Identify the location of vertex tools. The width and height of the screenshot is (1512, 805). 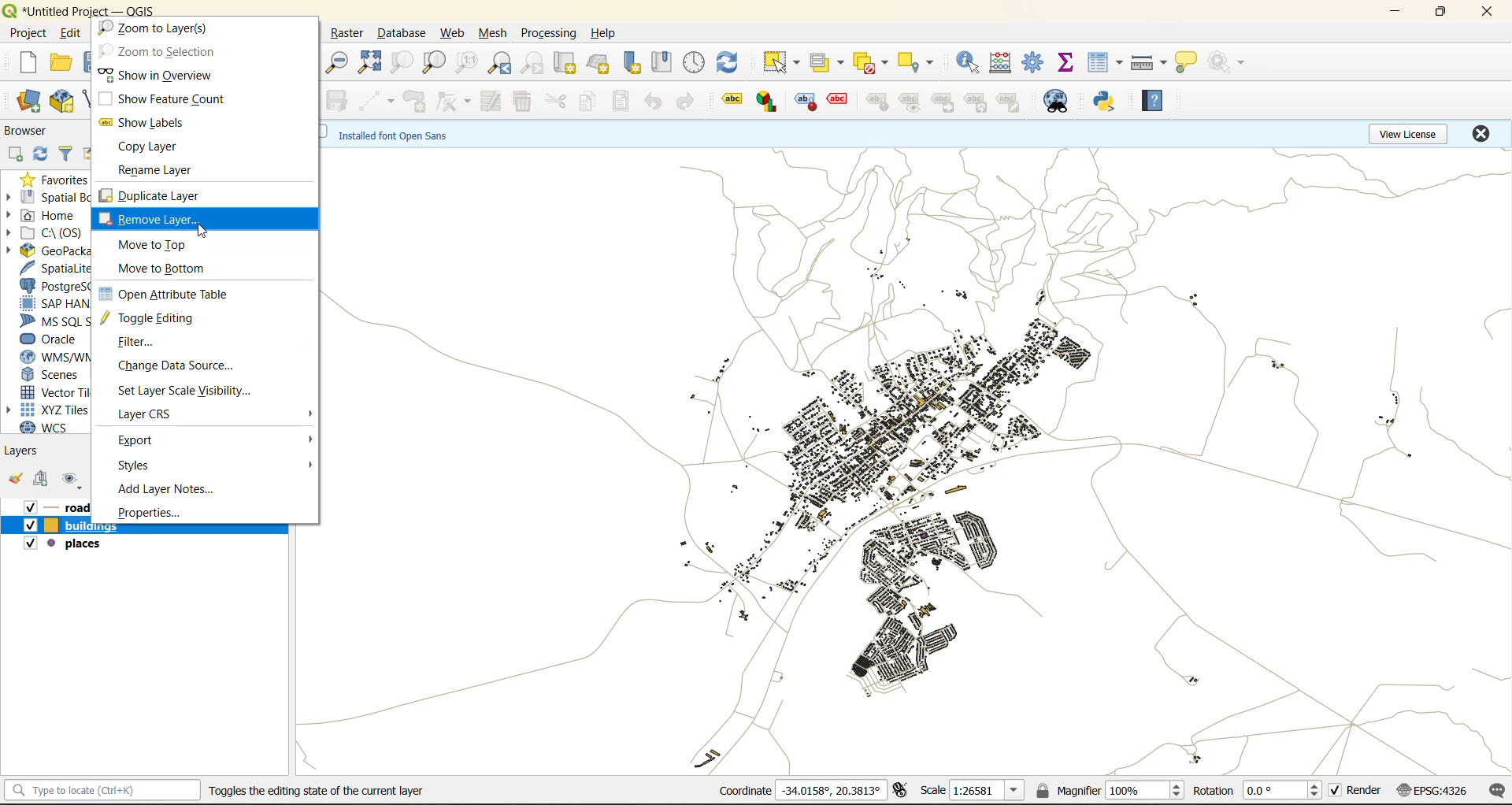
(454, 102).